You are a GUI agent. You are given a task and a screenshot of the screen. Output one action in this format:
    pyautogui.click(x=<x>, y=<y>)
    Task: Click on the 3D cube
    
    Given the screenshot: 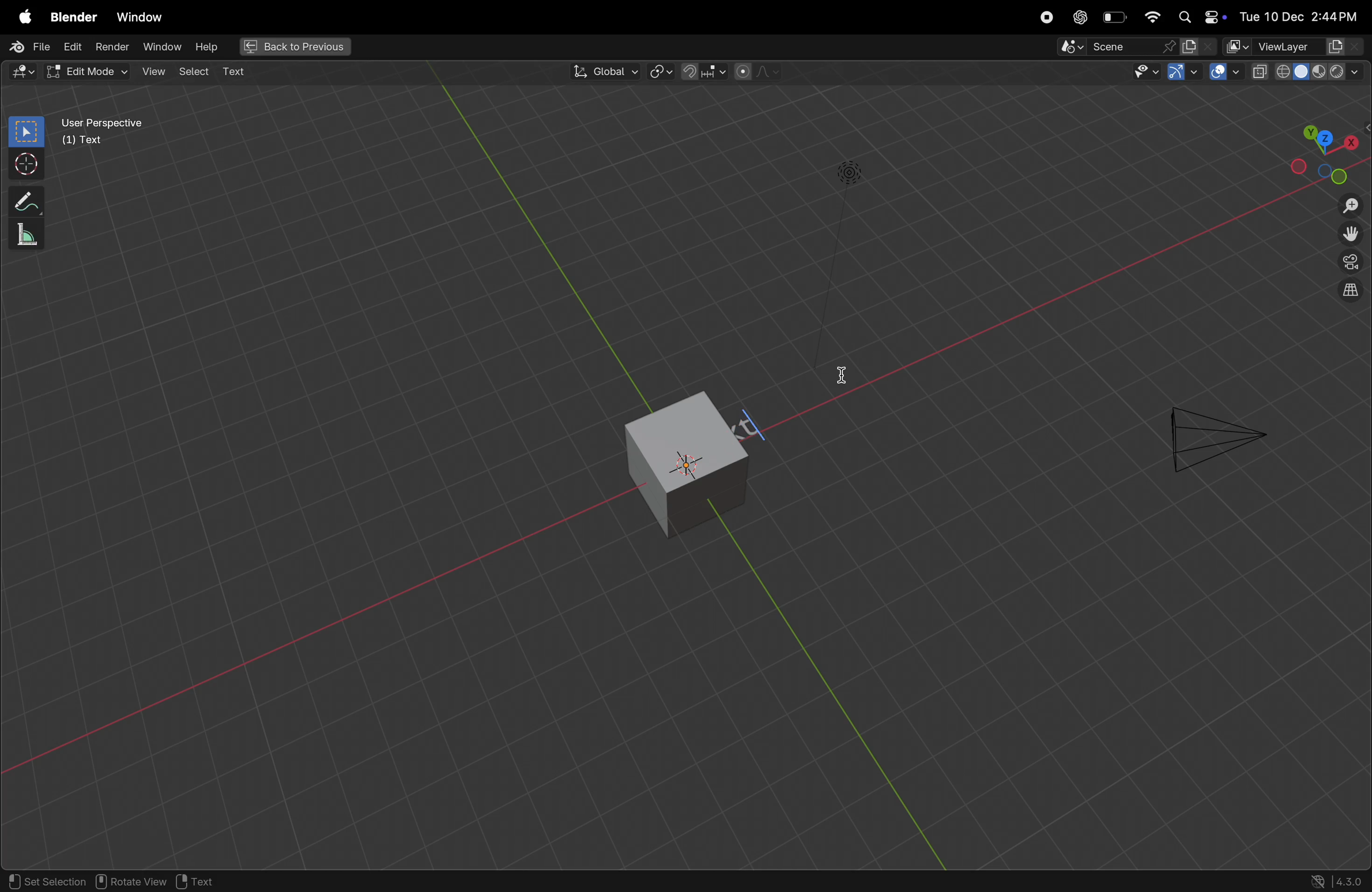 What is the action you would take?
    pyautogui.click(x=656, y=462)
    